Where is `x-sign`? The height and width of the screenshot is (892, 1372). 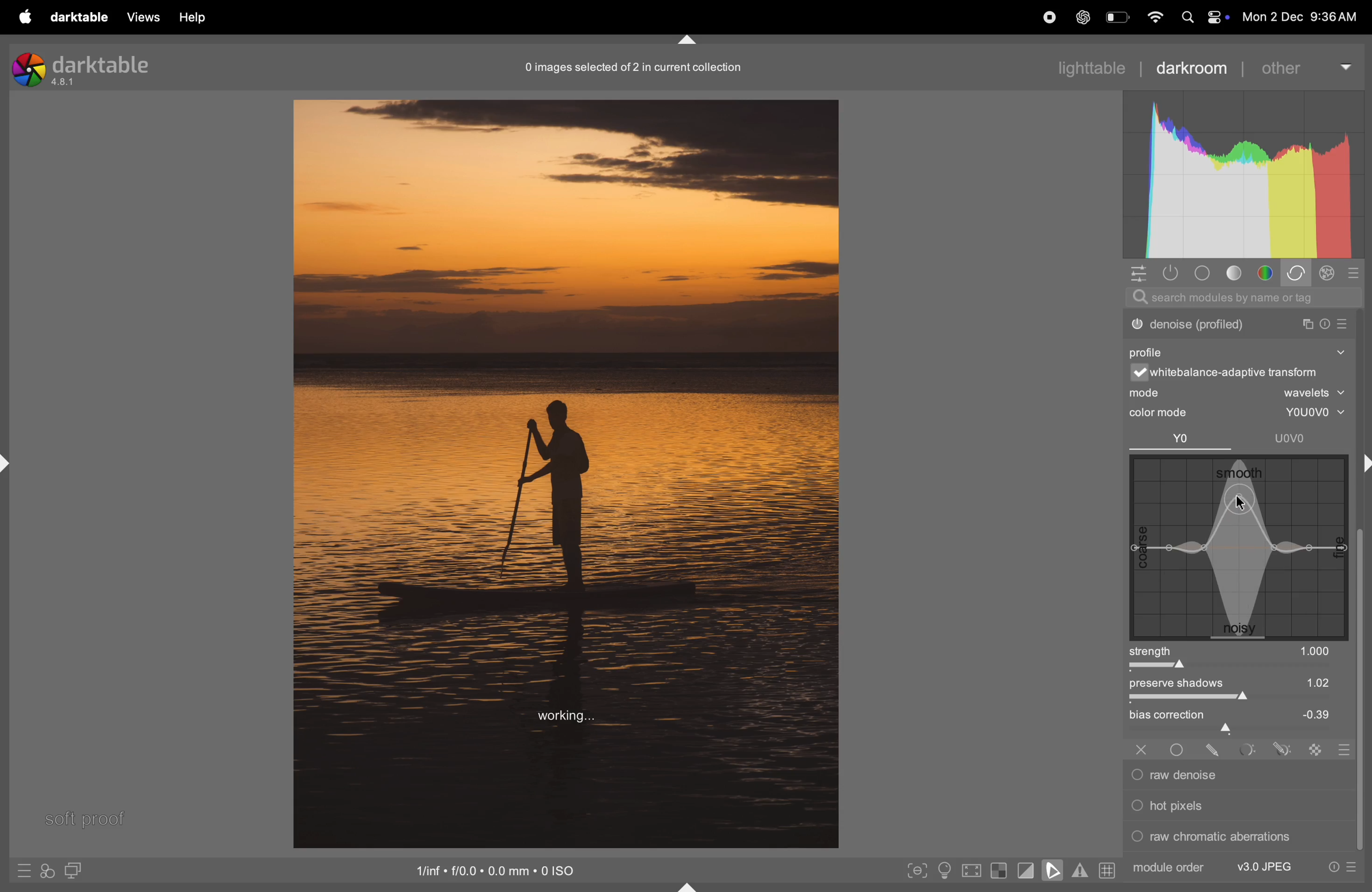 x-sign is located at coordinates (1141, 748).